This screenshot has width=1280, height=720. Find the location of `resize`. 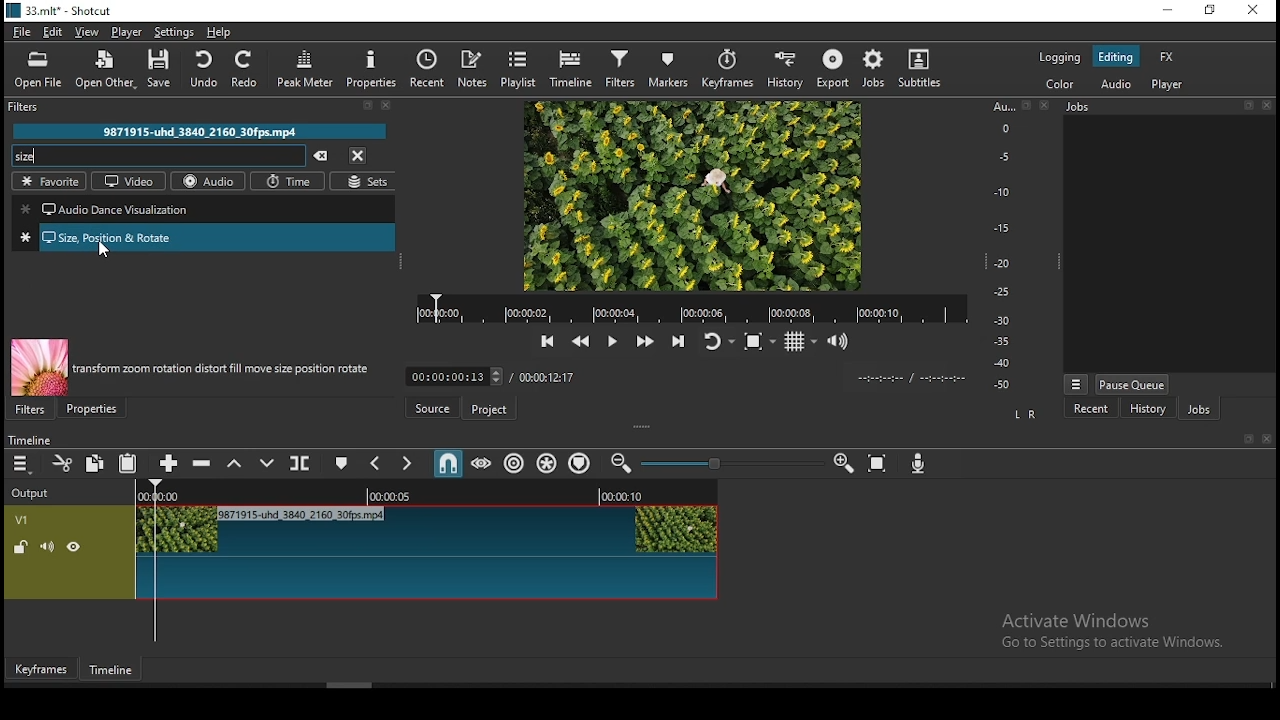

resize is located at coordinates (1025, 105).